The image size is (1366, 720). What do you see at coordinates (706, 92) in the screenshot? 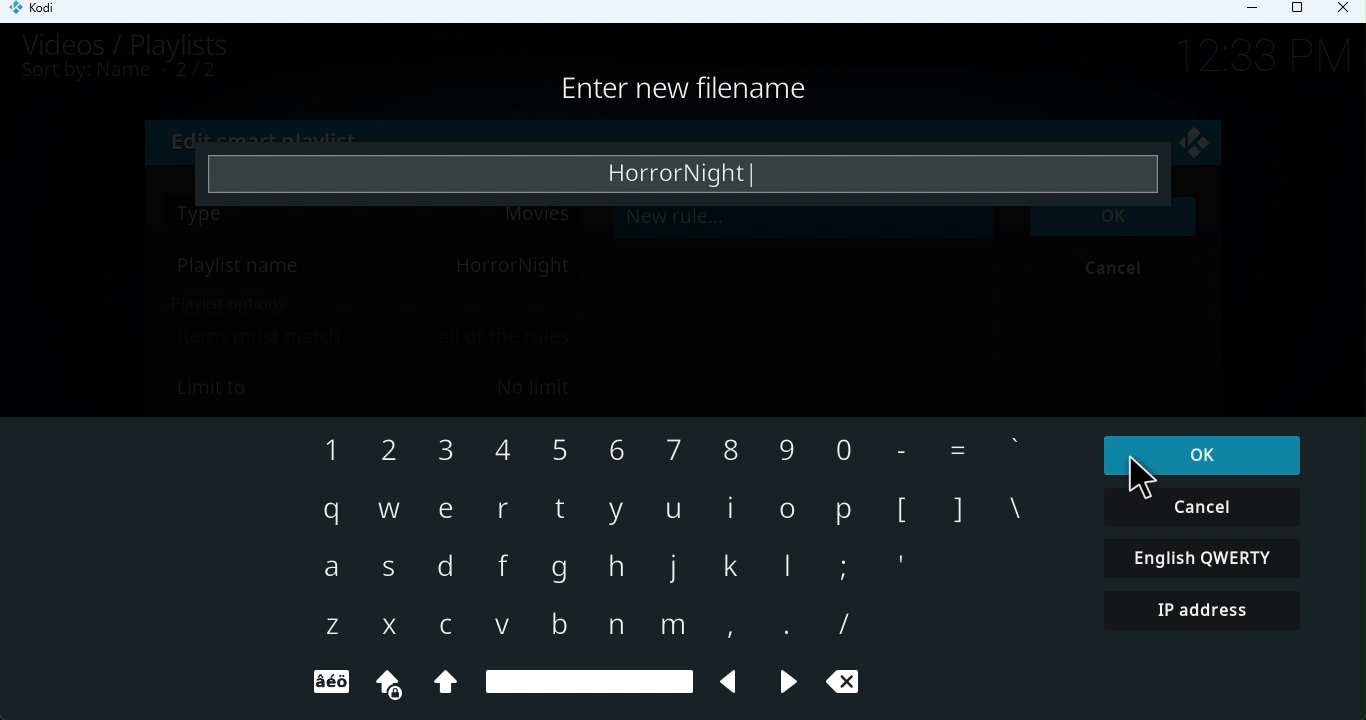
I see `Enter playlist name` at bounding box center [706, 92].